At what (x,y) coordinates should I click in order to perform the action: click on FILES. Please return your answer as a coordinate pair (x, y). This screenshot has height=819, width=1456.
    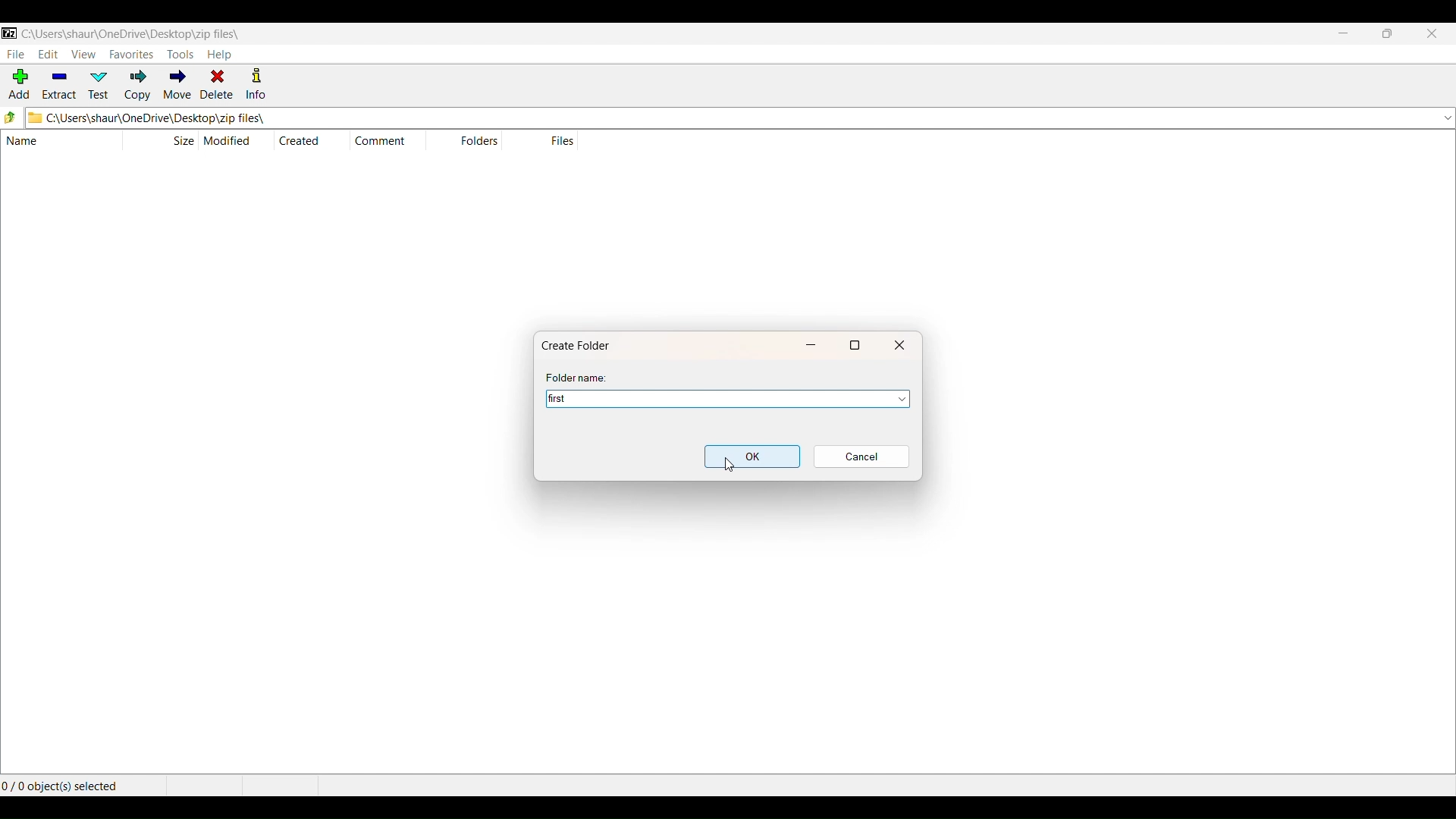
    Looking at the image, I should click on (561, 140).